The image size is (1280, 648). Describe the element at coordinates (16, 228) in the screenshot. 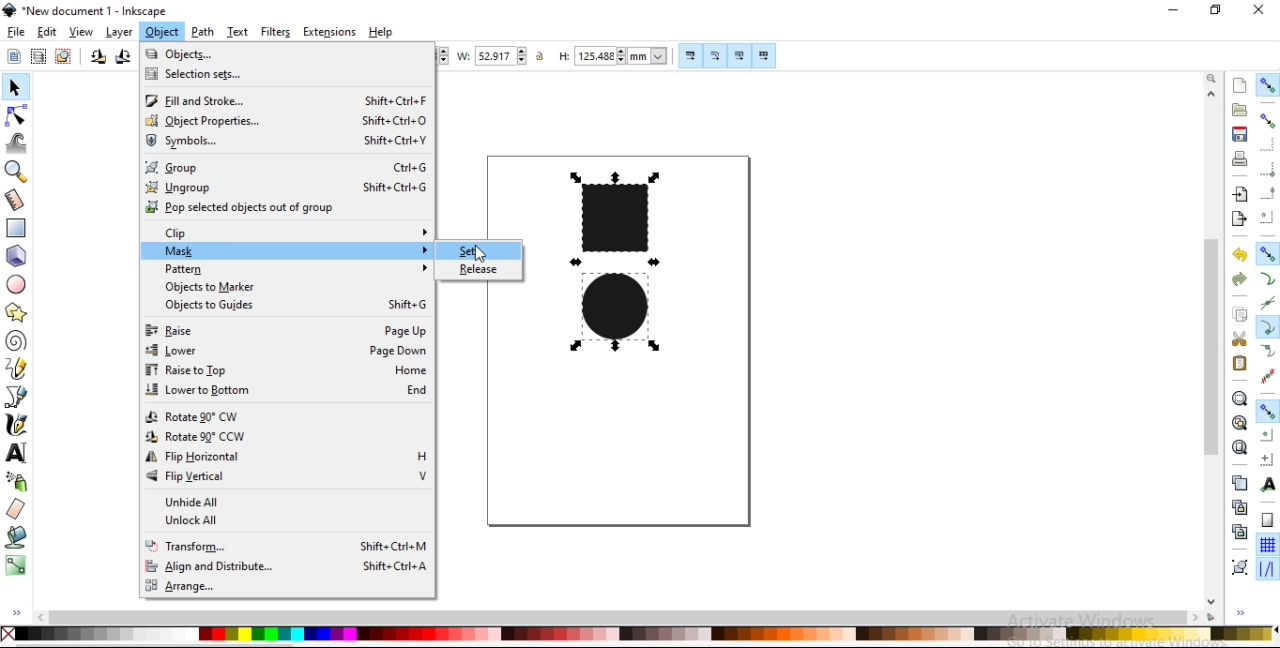

I see `create rectangles and squares` at that location.